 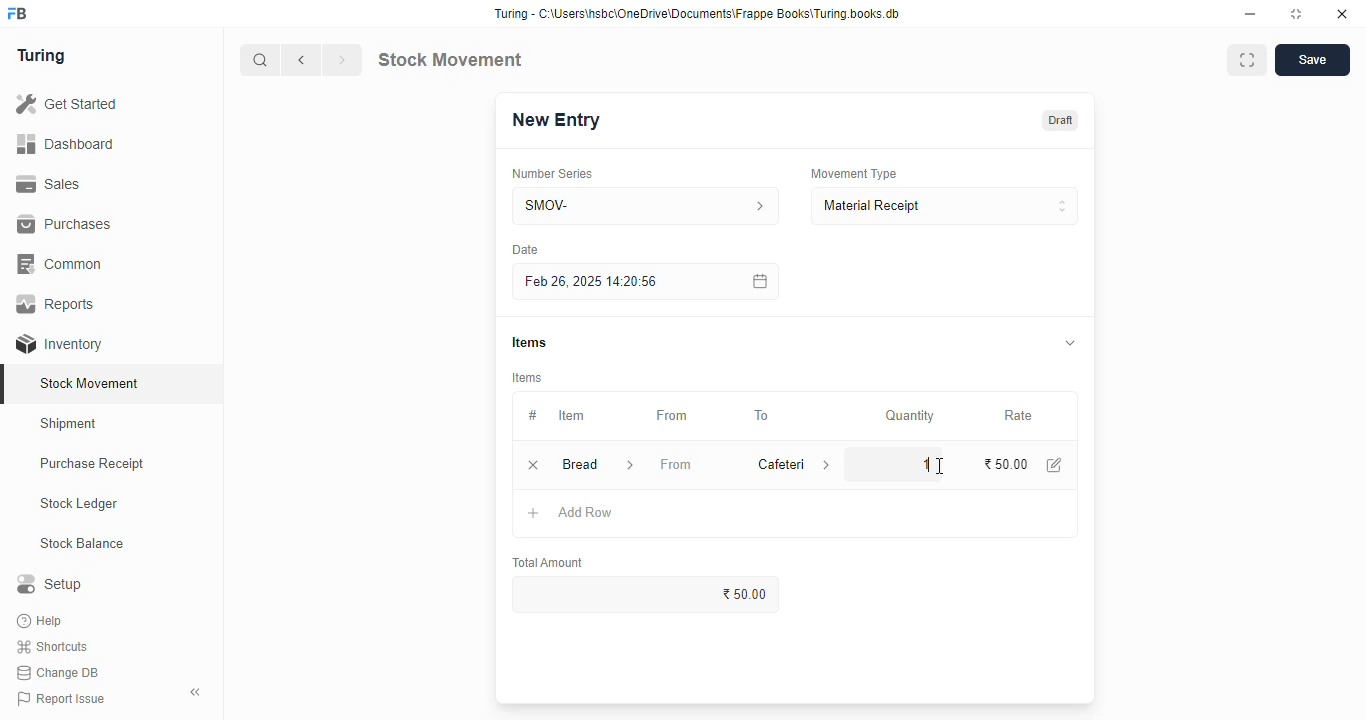 I want to click on Date, so click(x=525, y=249).